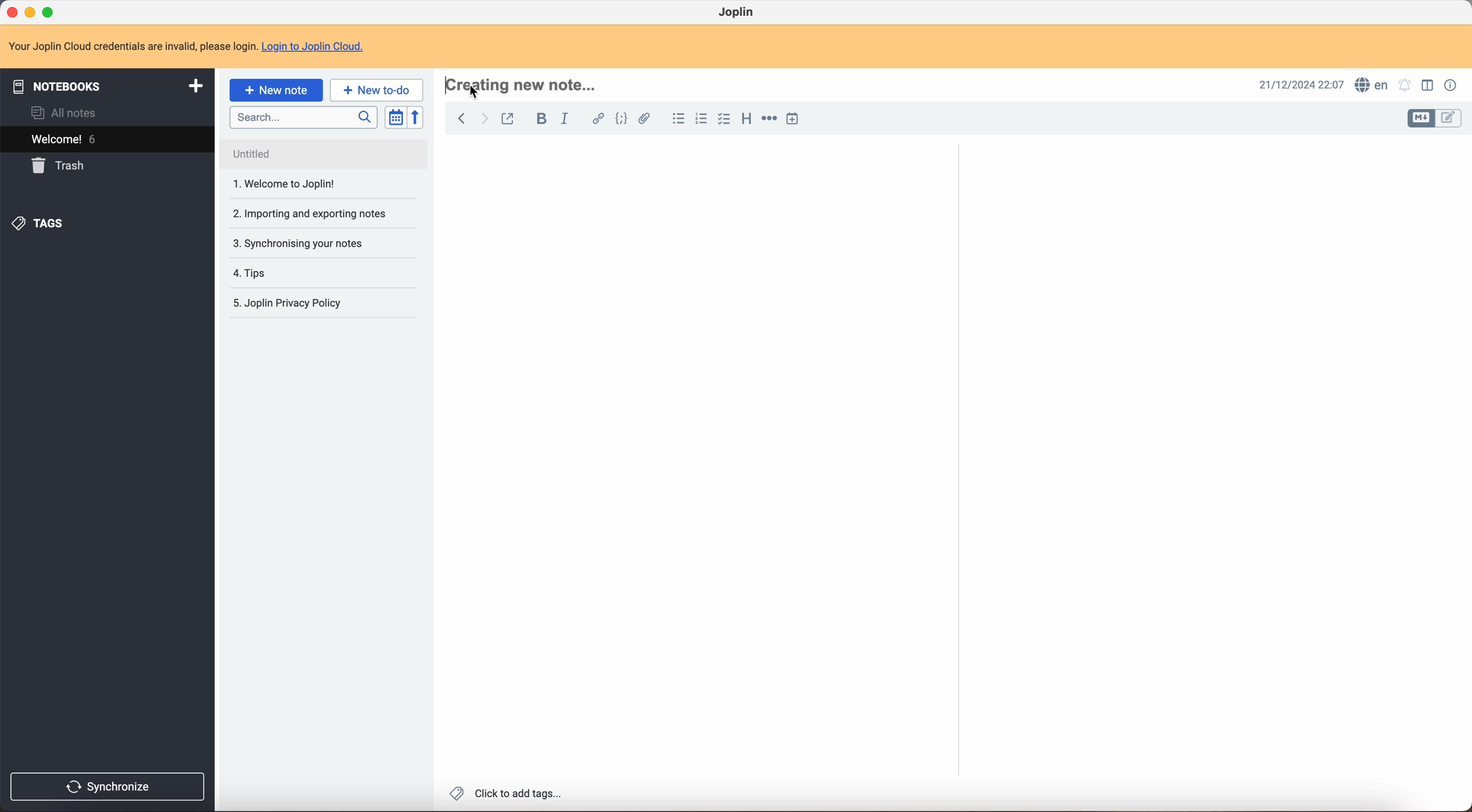 The image size is (1472, 812). I want to click on toggle external editing, so click(507, 118).